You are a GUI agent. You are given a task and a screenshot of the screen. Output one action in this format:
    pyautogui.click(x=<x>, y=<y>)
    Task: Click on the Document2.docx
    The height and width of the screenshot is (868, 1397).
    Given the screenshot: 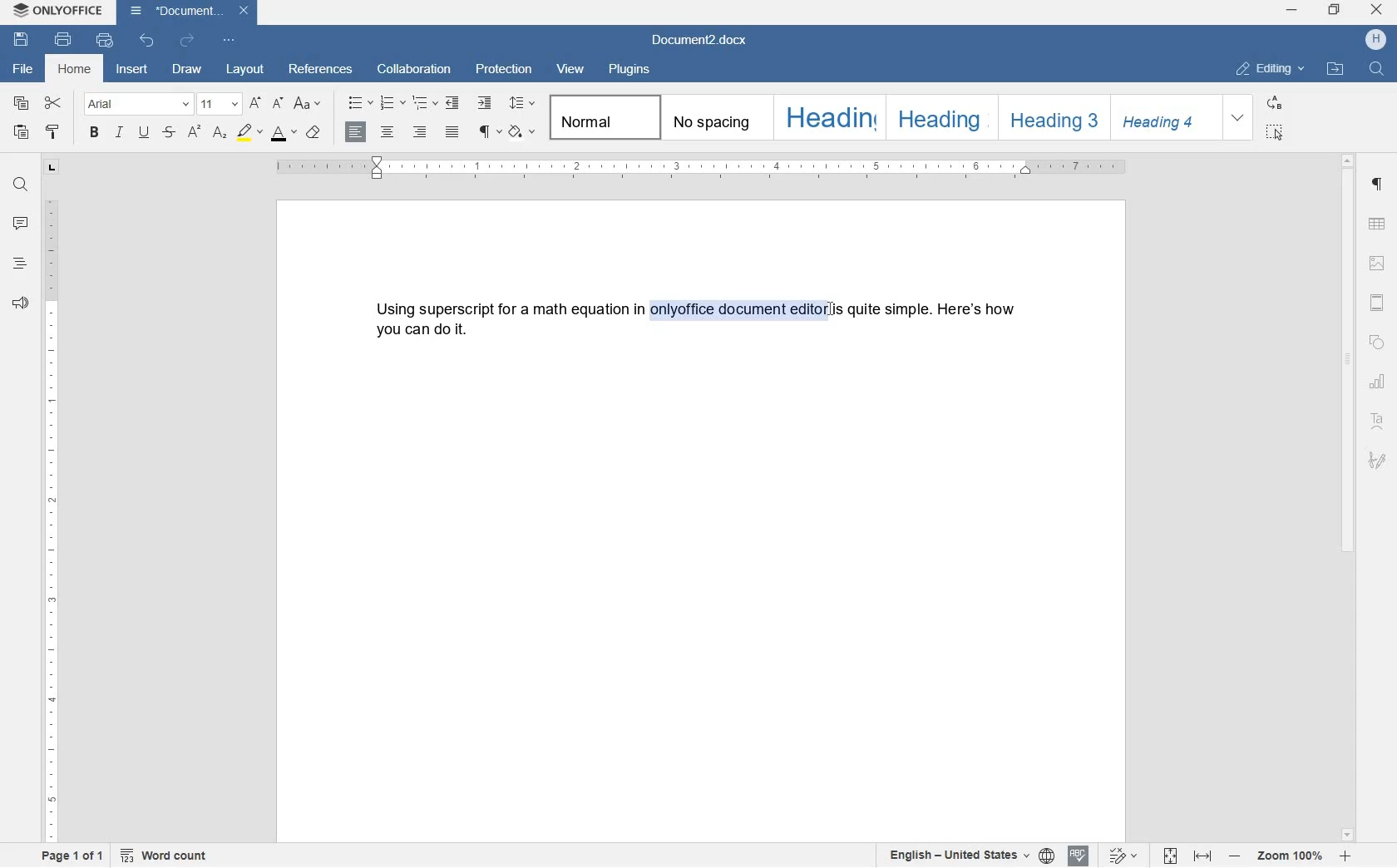 What is the action you would take?
    pyautogui.click(x=190, y=12)
    